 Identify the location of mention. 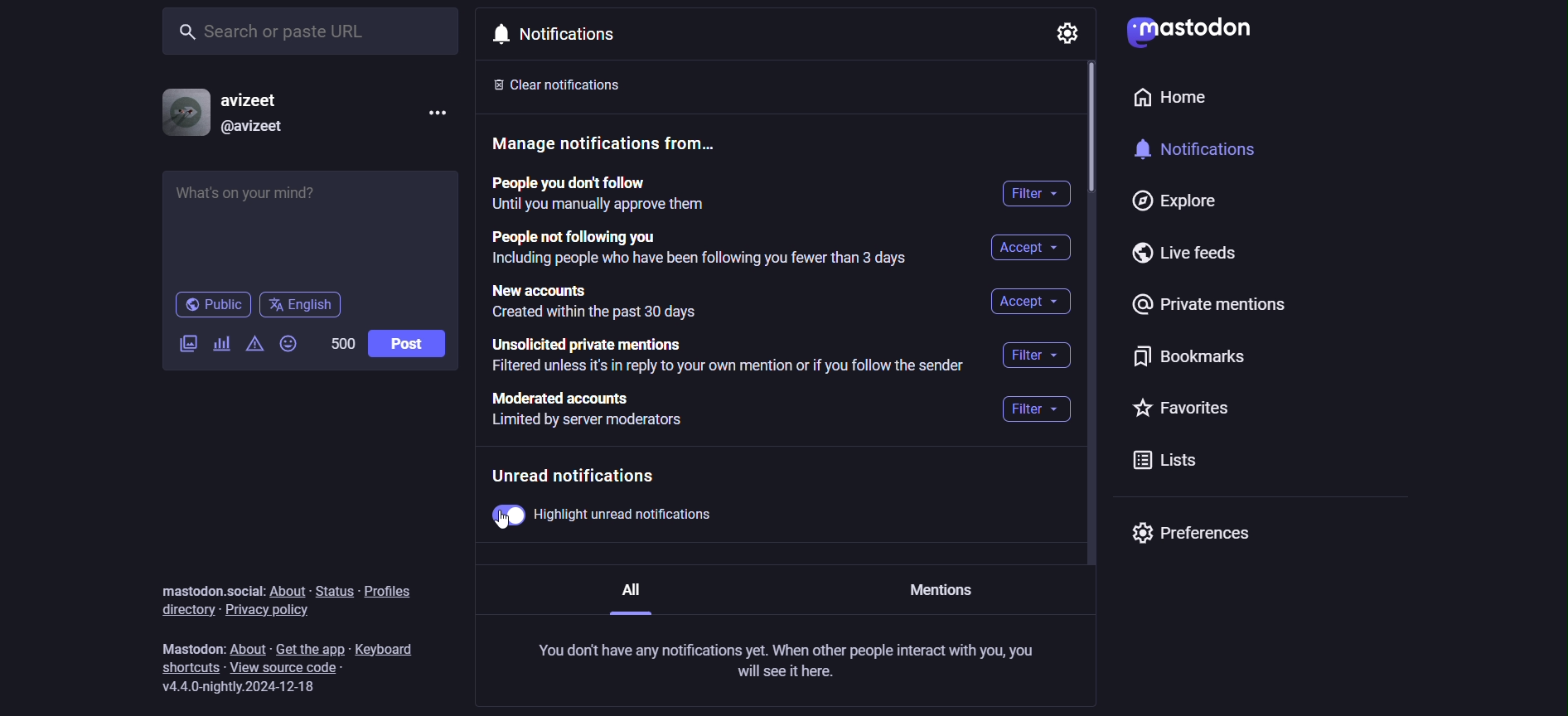
(943, 591).